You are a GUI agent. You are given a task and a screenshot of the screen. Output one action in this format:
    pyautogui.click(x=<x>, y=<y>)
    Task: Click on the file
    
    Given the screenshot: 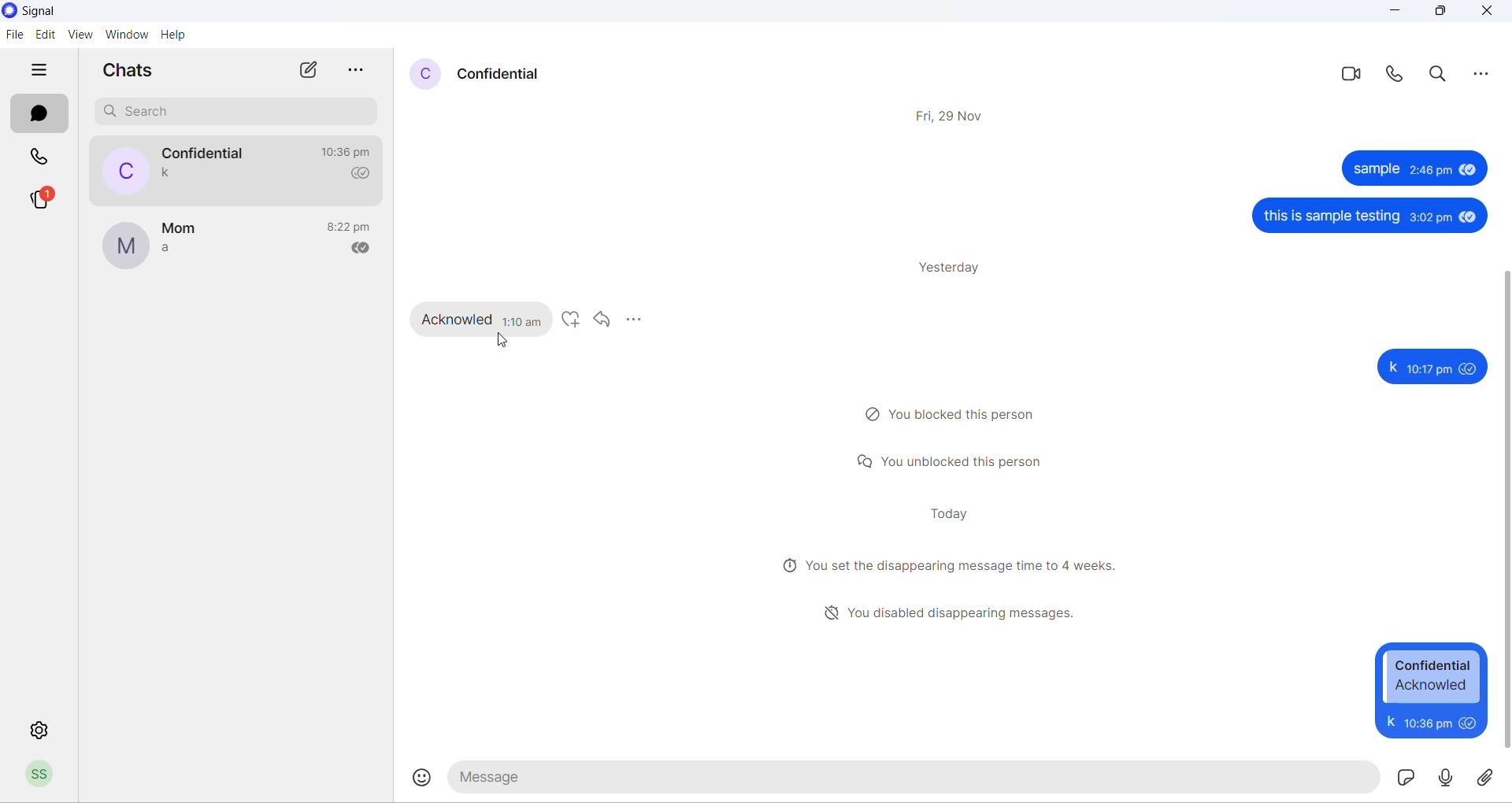 What is the action you would take?
    pyautogui.click(x=14, y=35)
    